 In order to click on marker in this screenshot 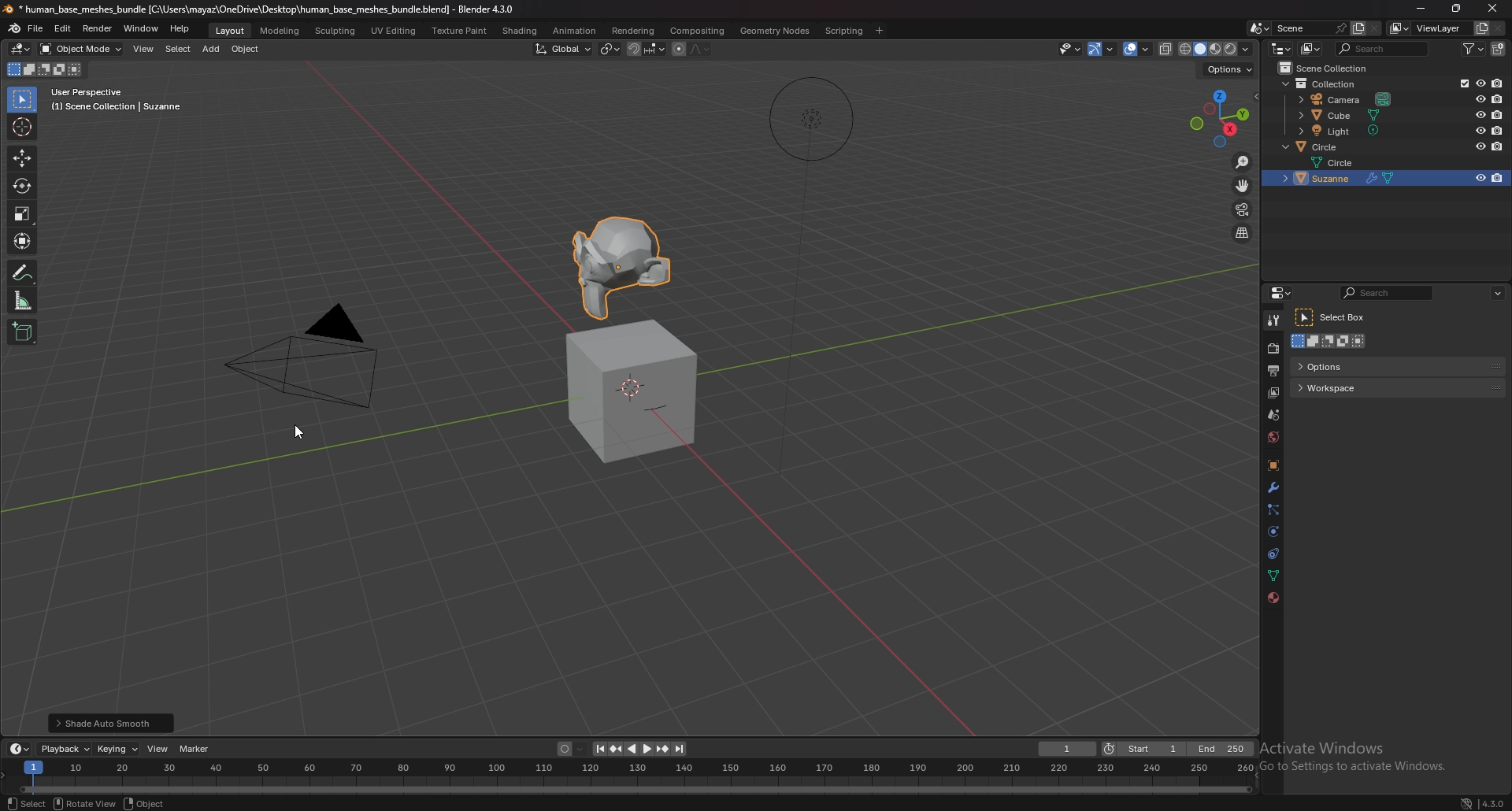, I will do `click(195, 749)`.